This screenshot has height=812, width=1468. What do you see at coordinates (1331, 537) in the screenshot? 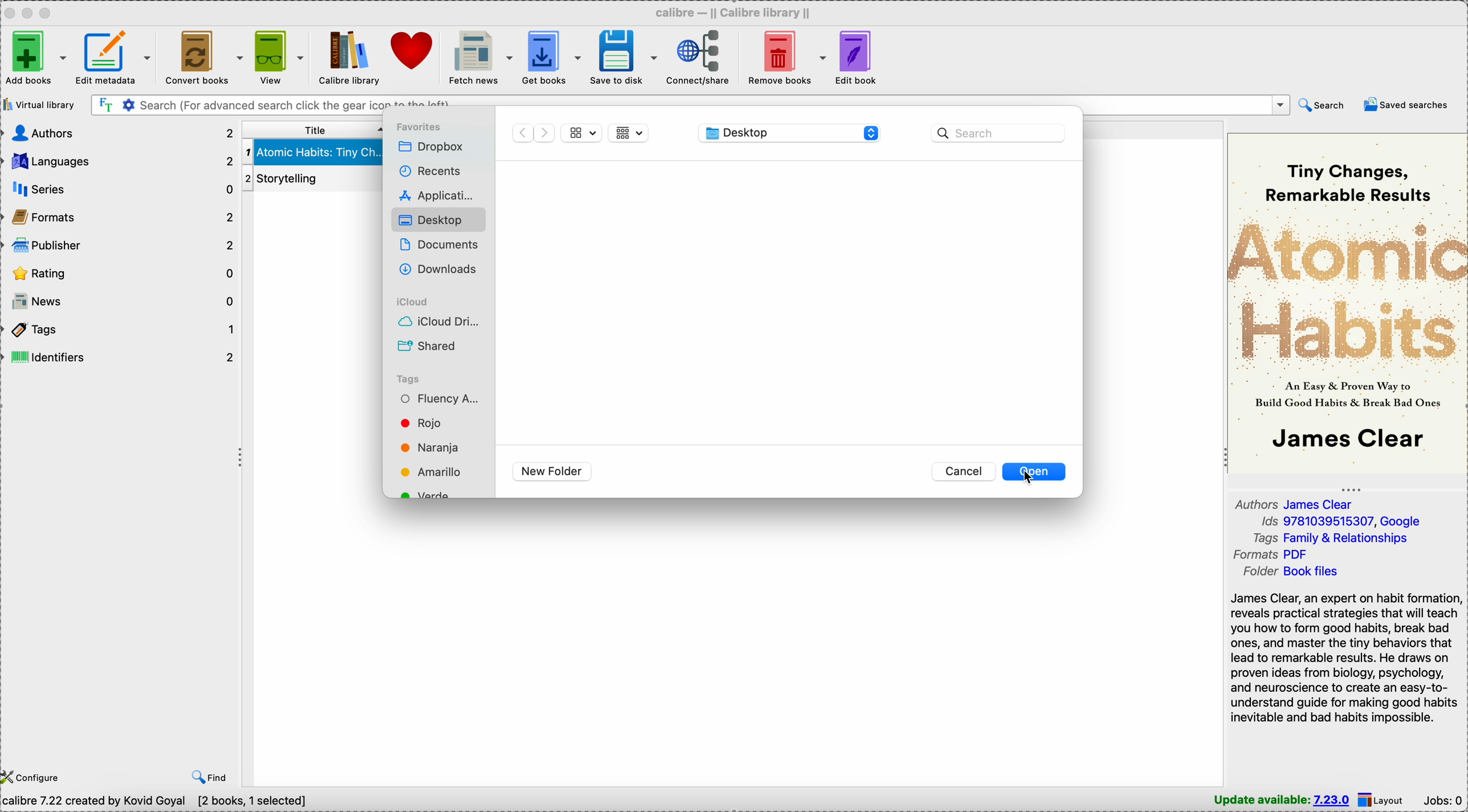
I see `tags Family & Relationships` at bounding box center [1331, 537].